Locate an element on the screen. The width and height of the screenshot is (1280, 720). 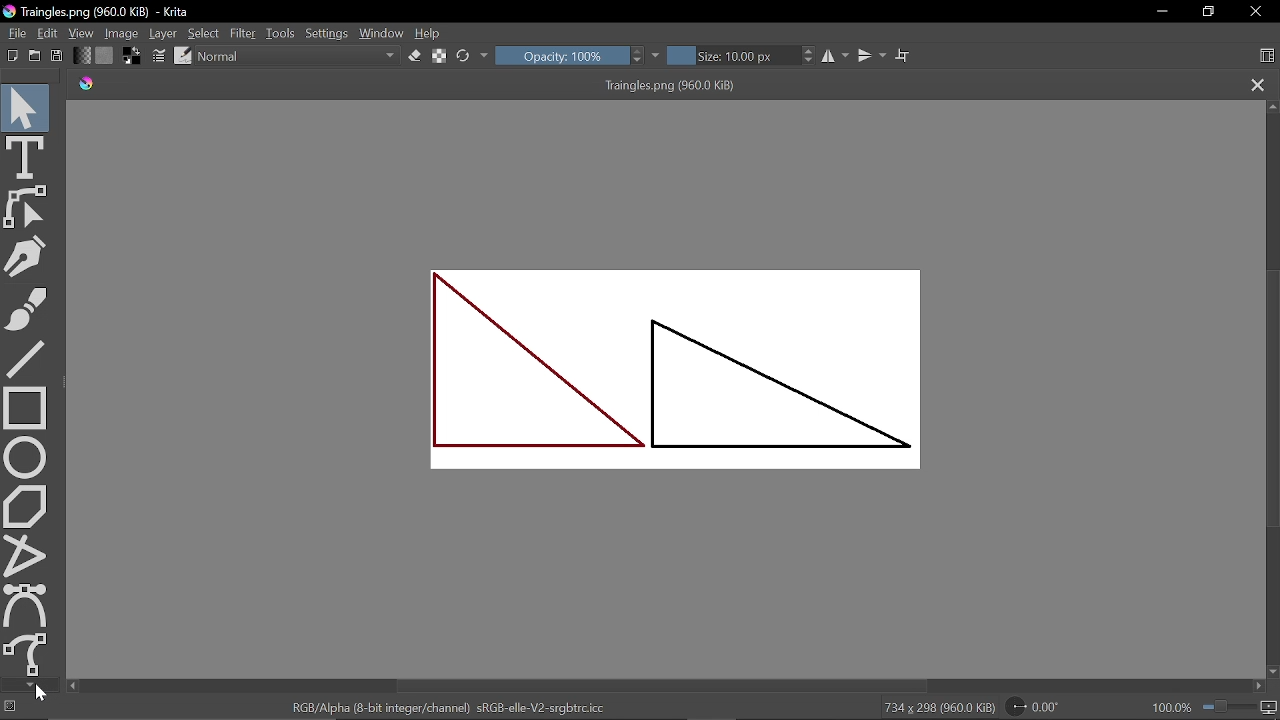
Traingles.png (960.0 KiB) - Krita is located at coordinates (99, 13).